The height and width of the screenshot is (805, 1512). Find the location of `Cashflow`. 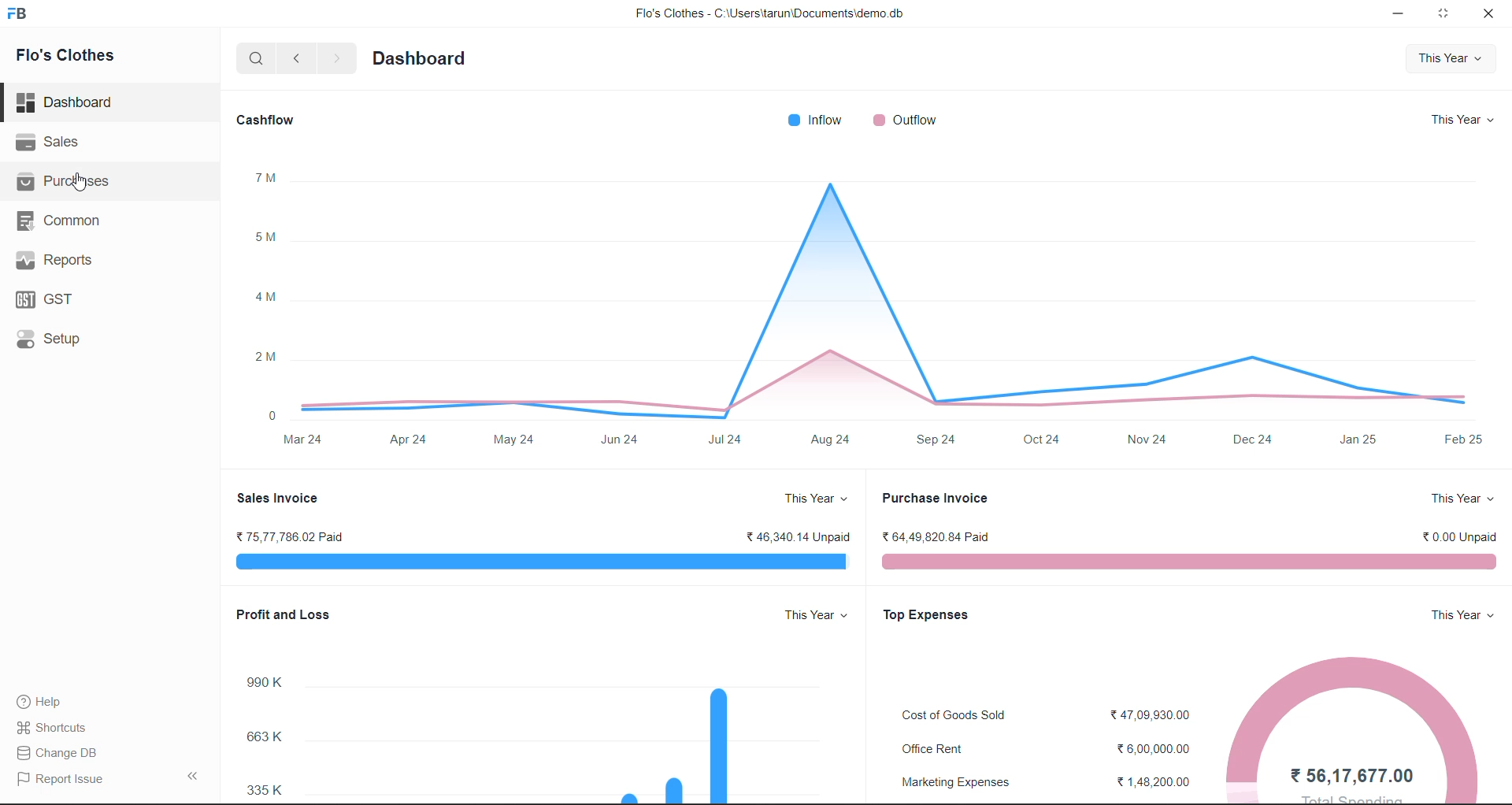

Cashflow is located at coordinates (269, 121).